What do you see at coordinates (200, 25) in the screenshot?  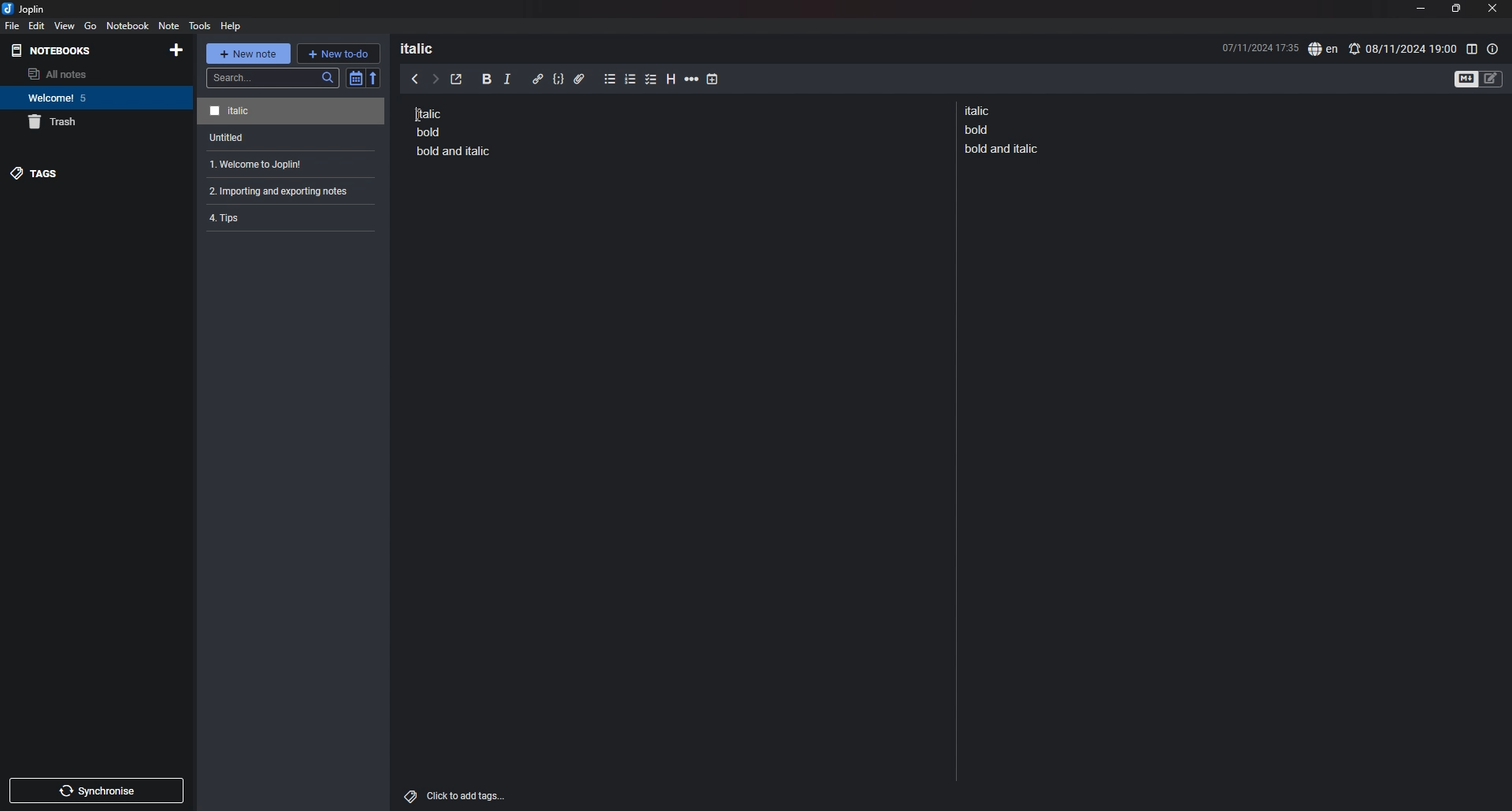 I see `tools` at bounding box center [200, 25].